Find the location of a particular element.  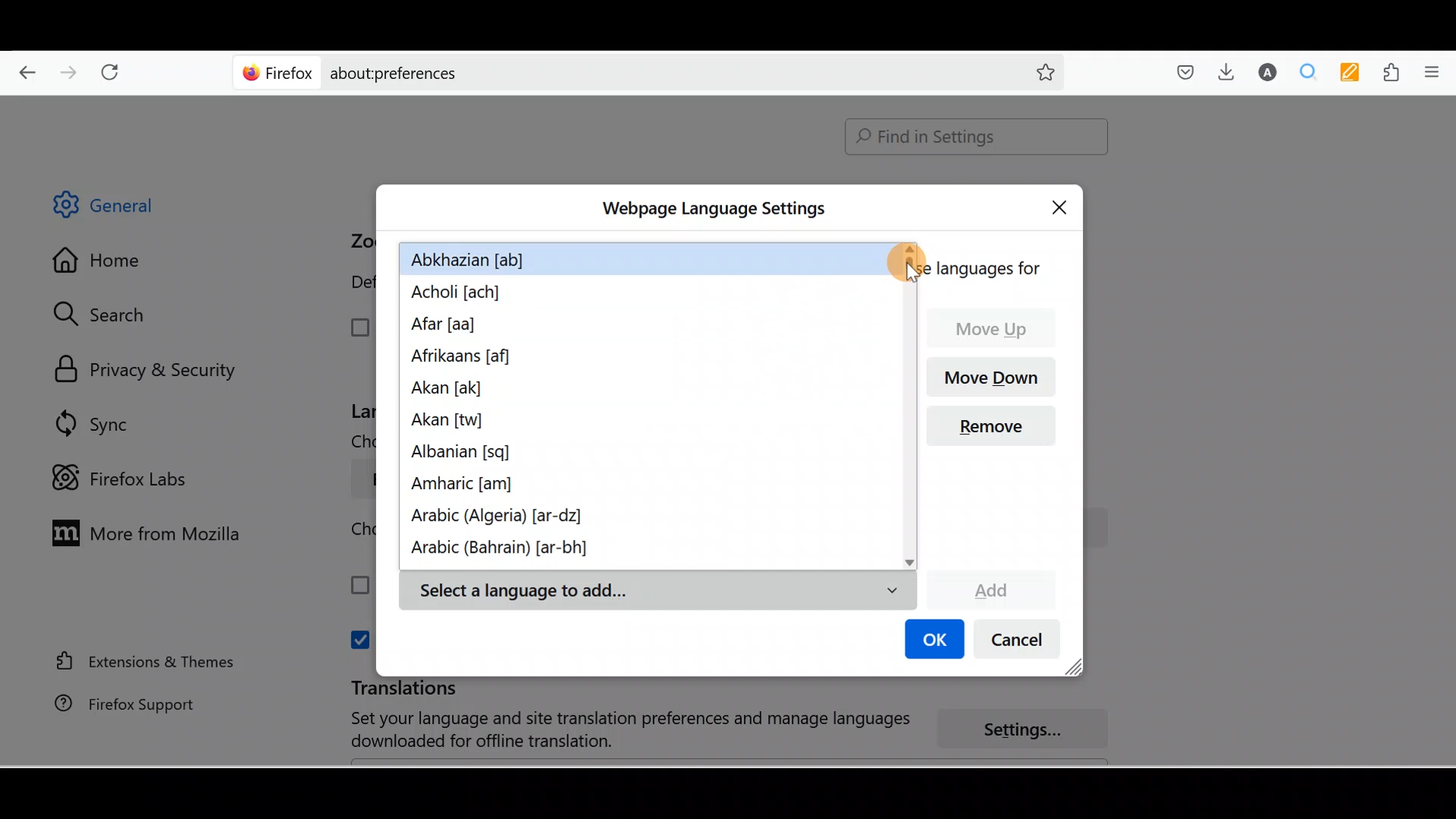

Close is located at coordinates (1063, 205).